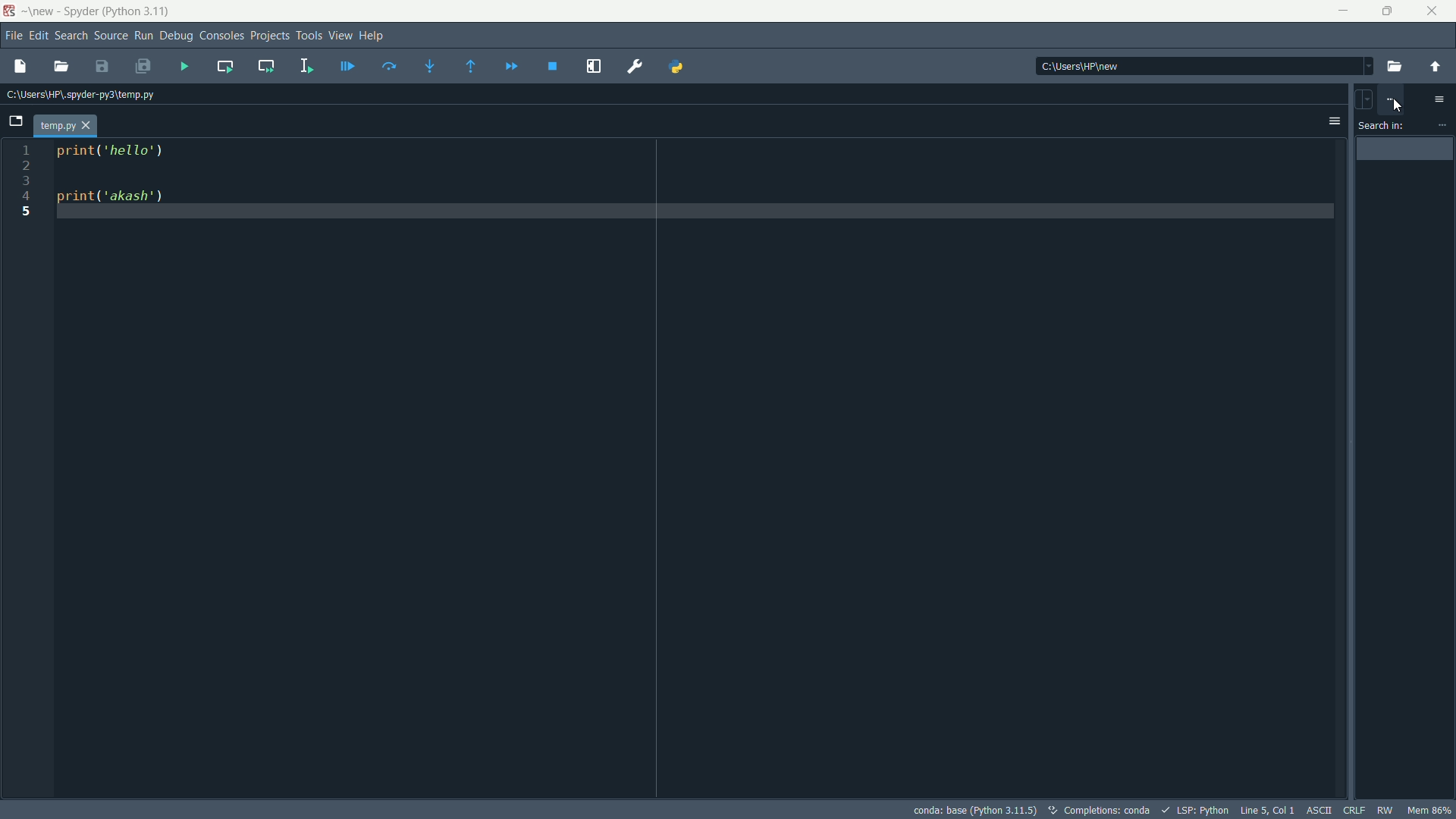 This screenshot has width=1456, height=819. What do you see at coordinates (25, 67) in the screenshot?
I see `new file` at bounding box center [25, 67].